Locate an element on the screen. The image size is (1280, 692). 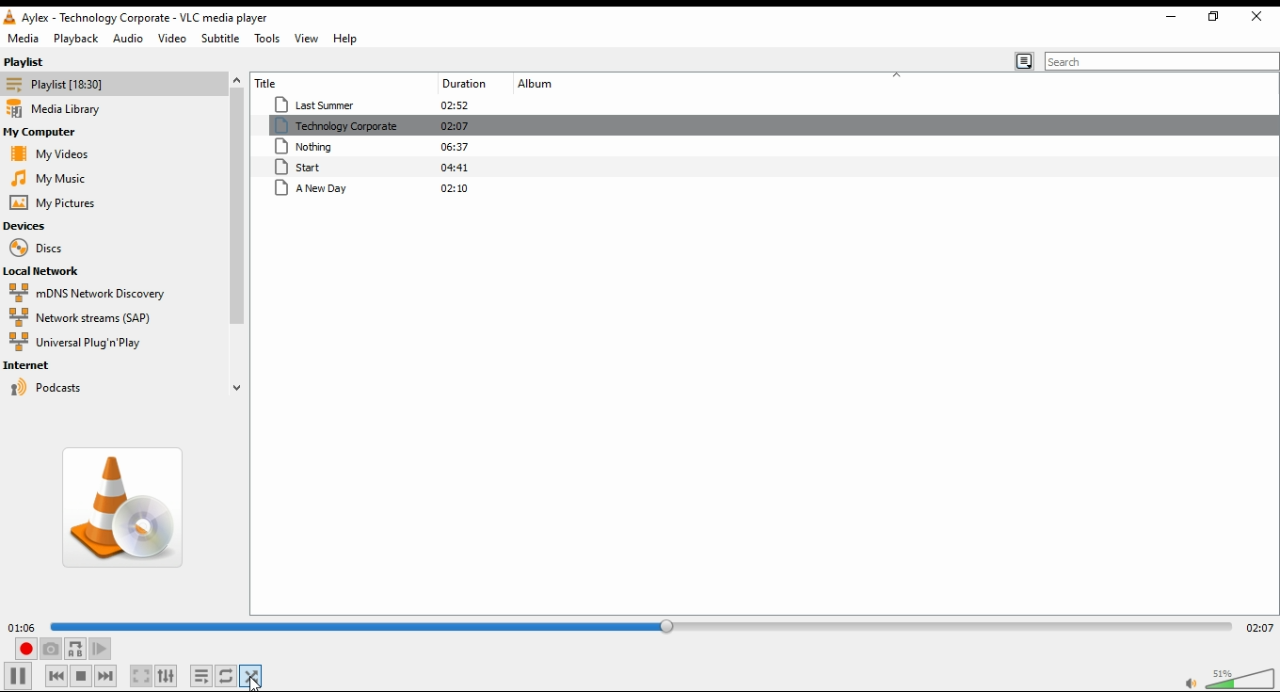
search bar is located at coordinates (1161, 61).